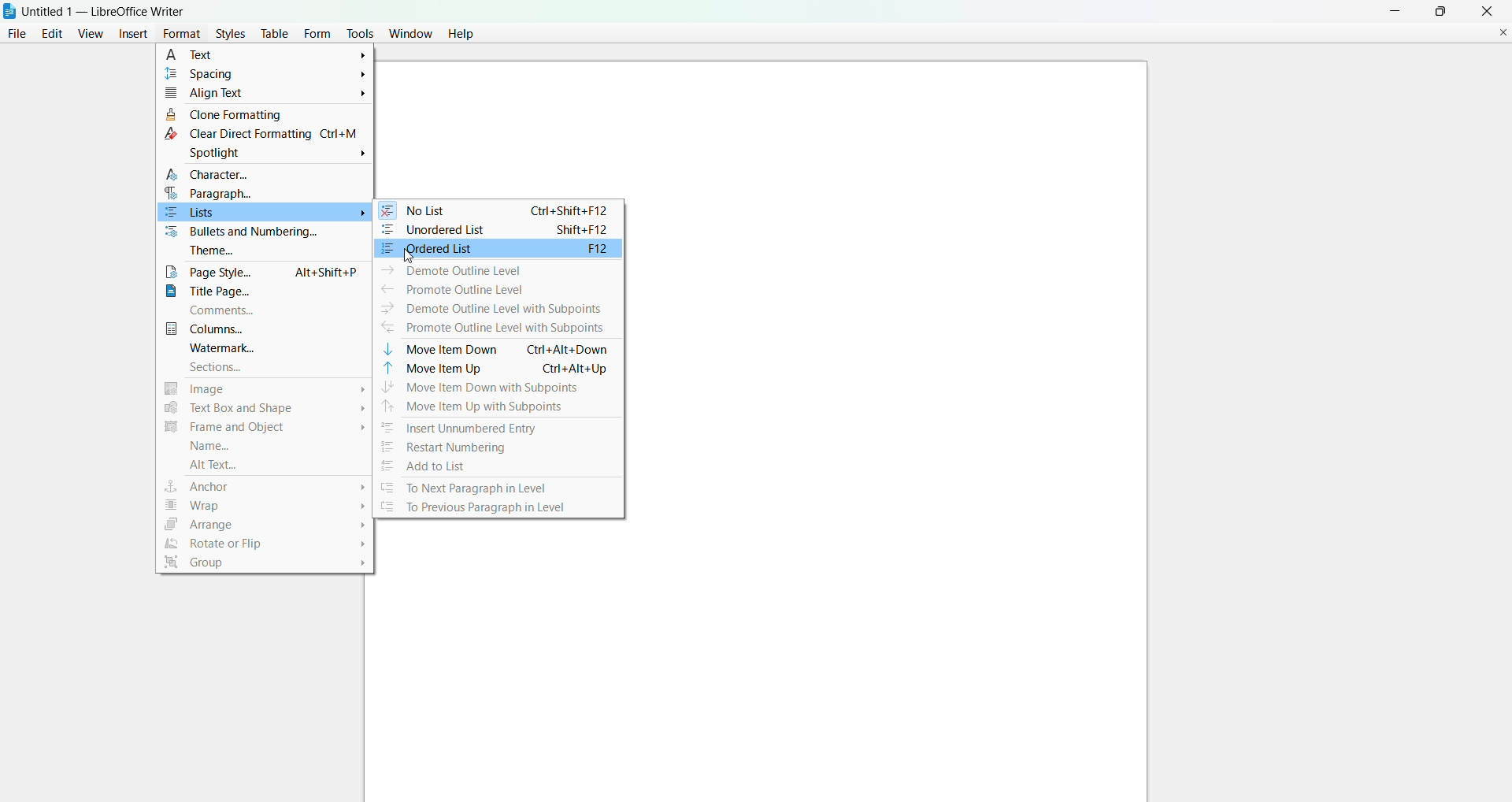 The image size is (1512, 802). Describe the element at coordinates (454, 291) in the screenshot. I see `promote outline level` at that location.